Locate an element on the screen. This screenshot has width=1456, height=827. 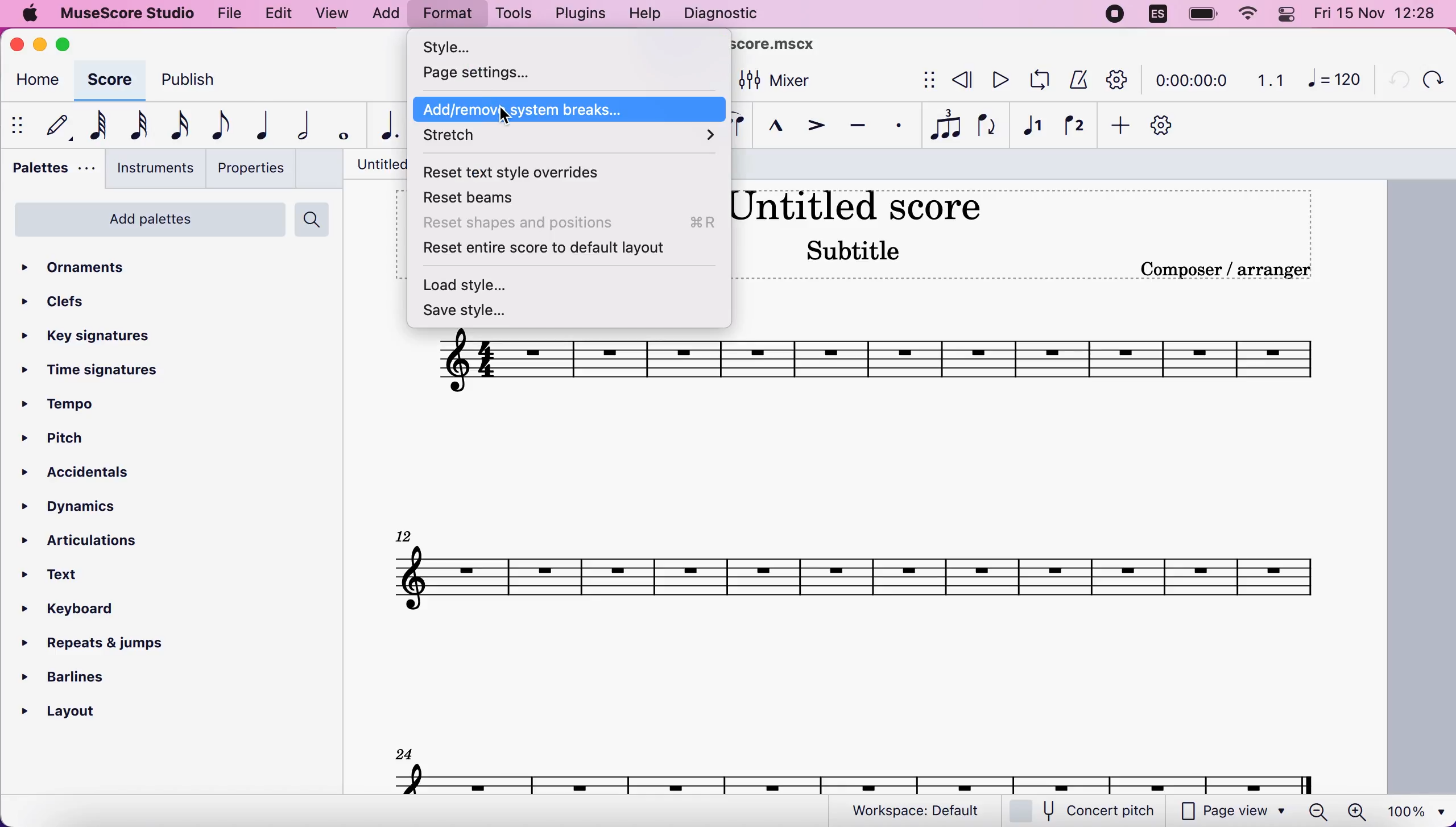
tuples is located at coordinates (946, 126).